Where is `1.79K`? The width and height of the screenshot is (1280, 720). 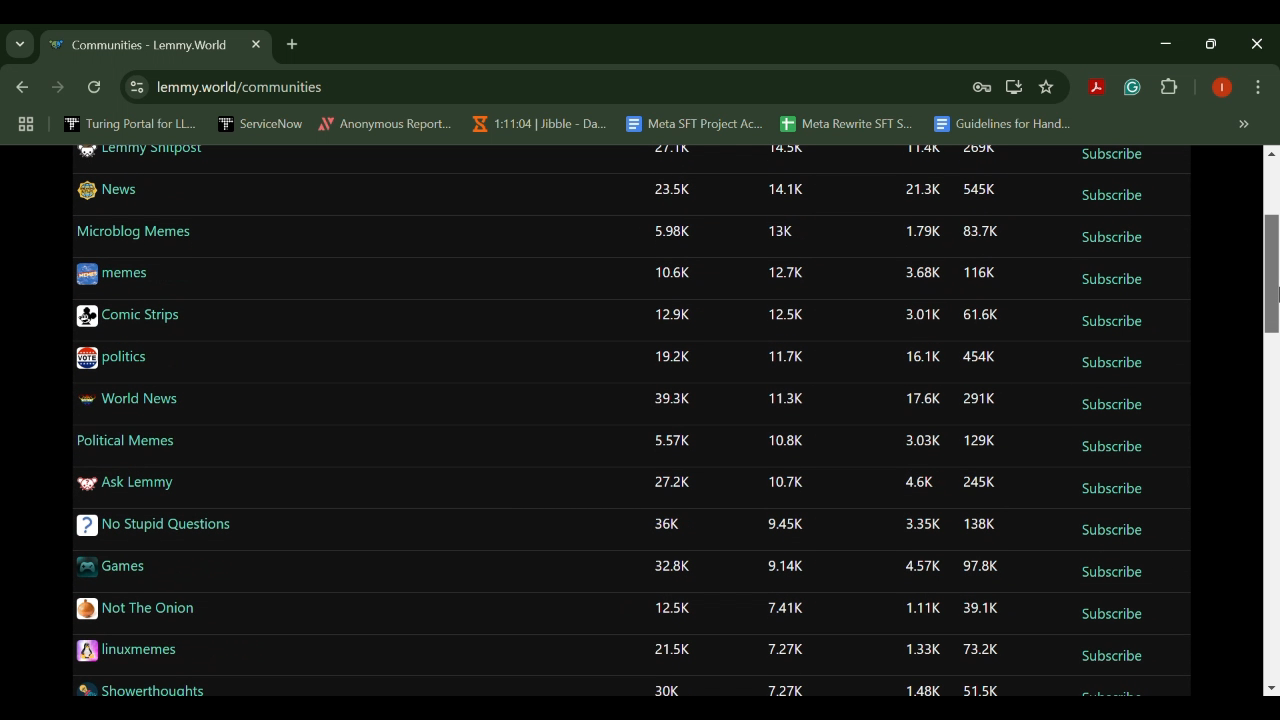 1.79K is located at coordinates (922, 230).